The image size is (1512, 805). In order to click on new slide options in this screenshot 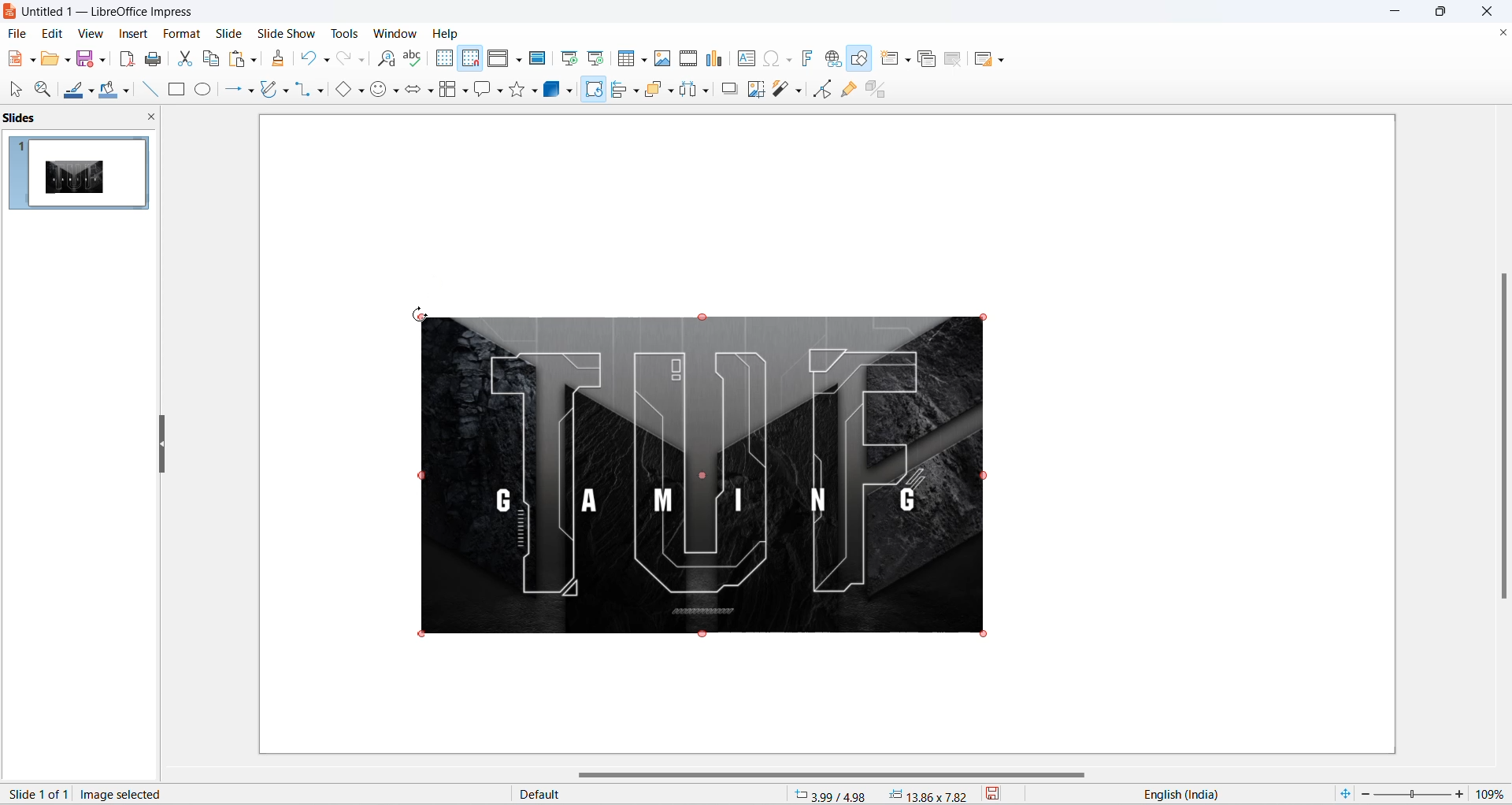, I will do `click(910, 60)`.